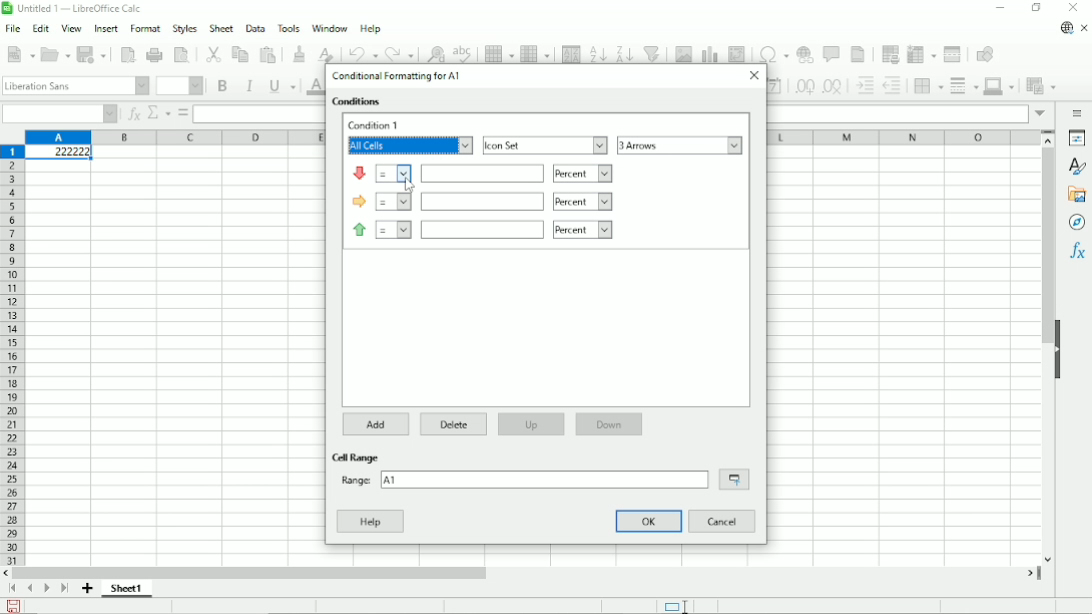 The width and height of the screenshot is (1092, 614). I want to click on Column, so click(535, 51).